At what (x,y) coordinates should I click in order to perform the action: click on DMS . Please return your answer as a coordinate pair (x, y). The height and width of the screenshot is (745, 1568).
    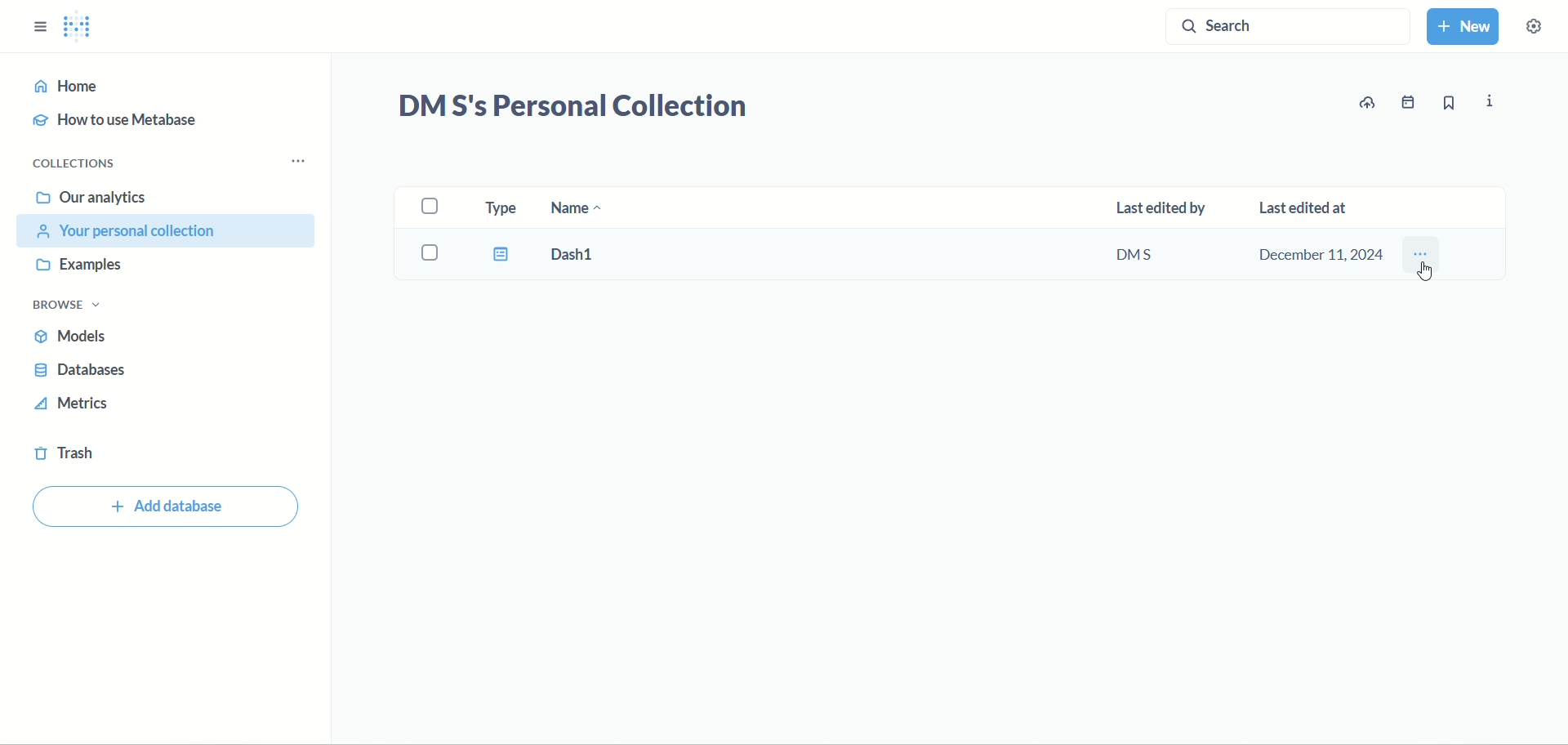
    Looking at the image, I should click on (1145, 256).